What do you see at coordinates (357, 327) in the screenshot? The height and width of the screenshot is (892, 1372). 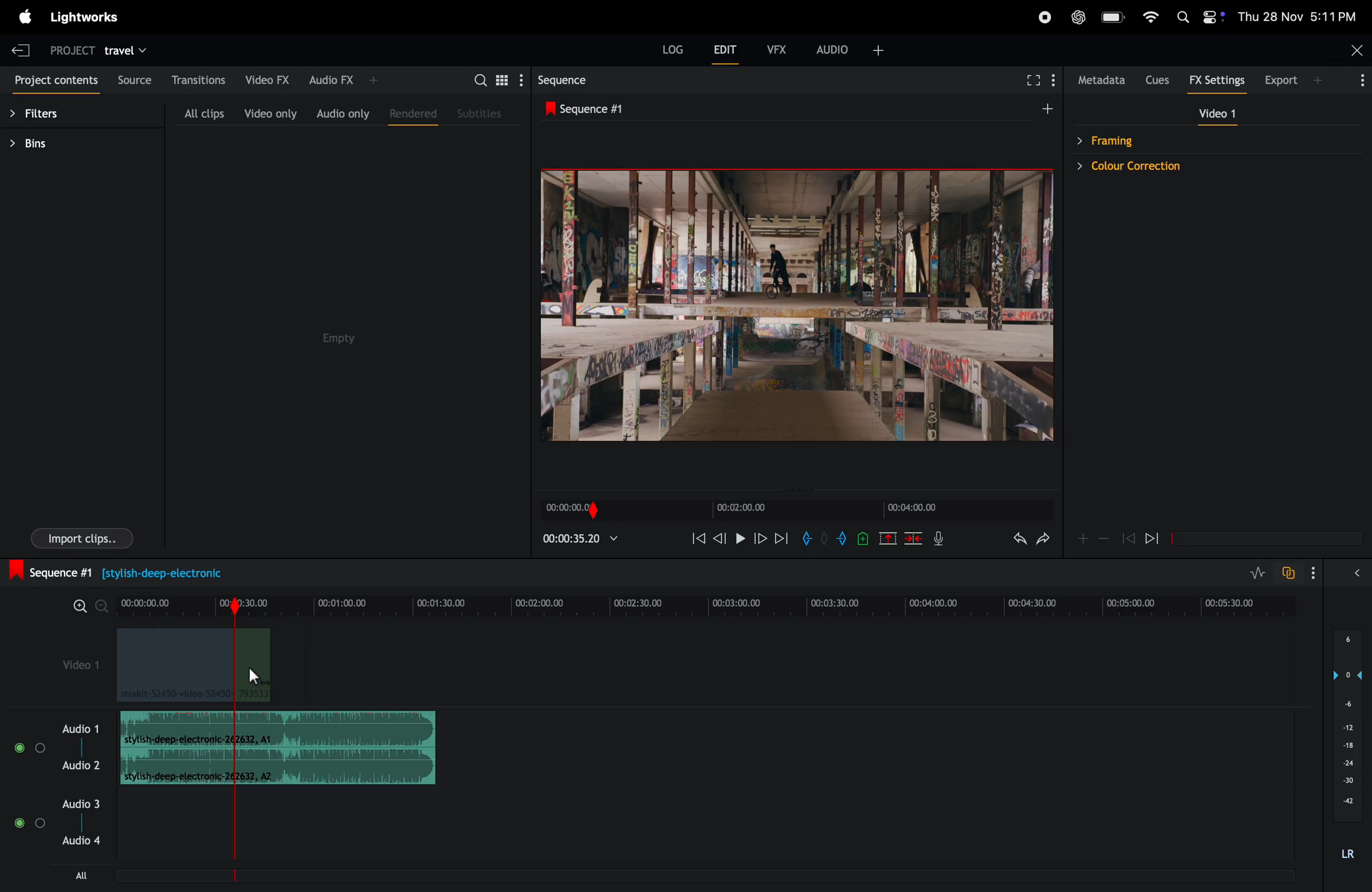 I see `Empty` at bounding box center [357, 327].